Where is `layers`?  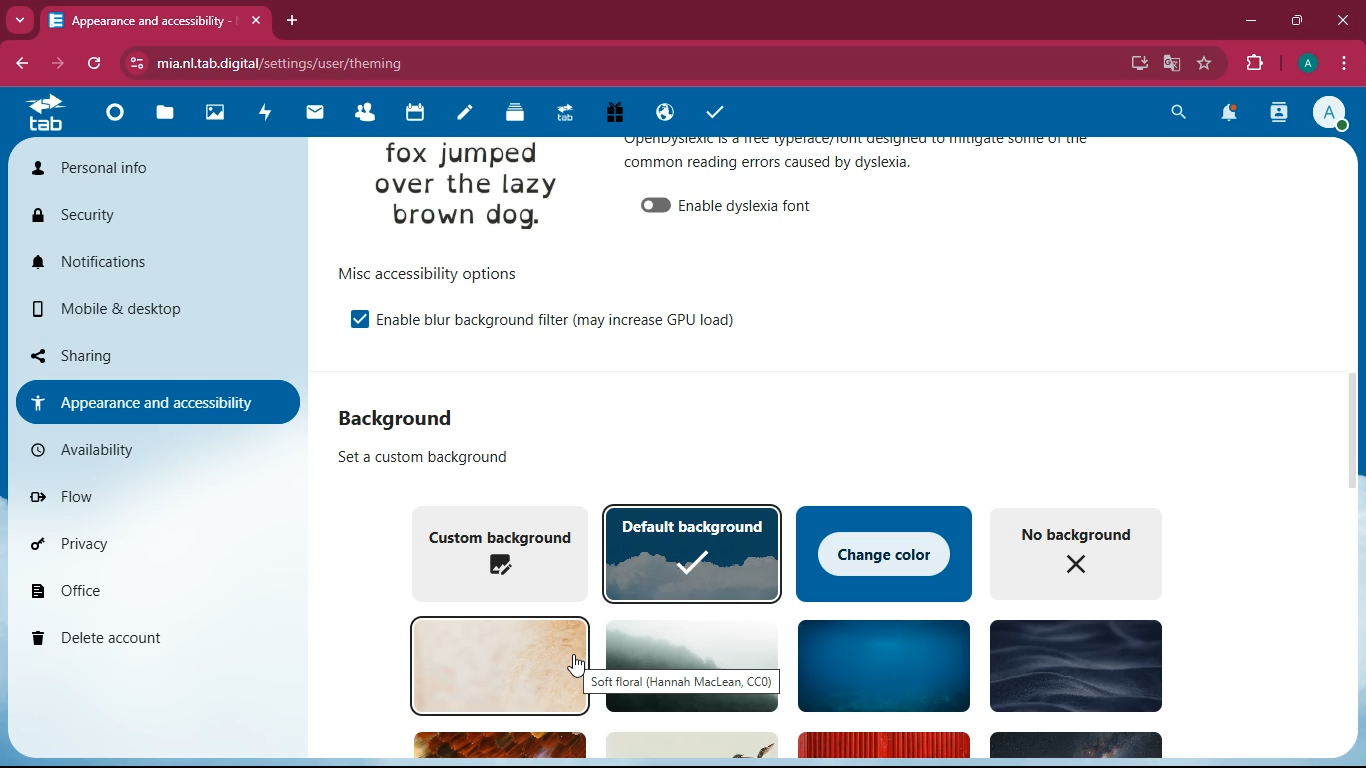
layers is located at coordinates (515, 115).